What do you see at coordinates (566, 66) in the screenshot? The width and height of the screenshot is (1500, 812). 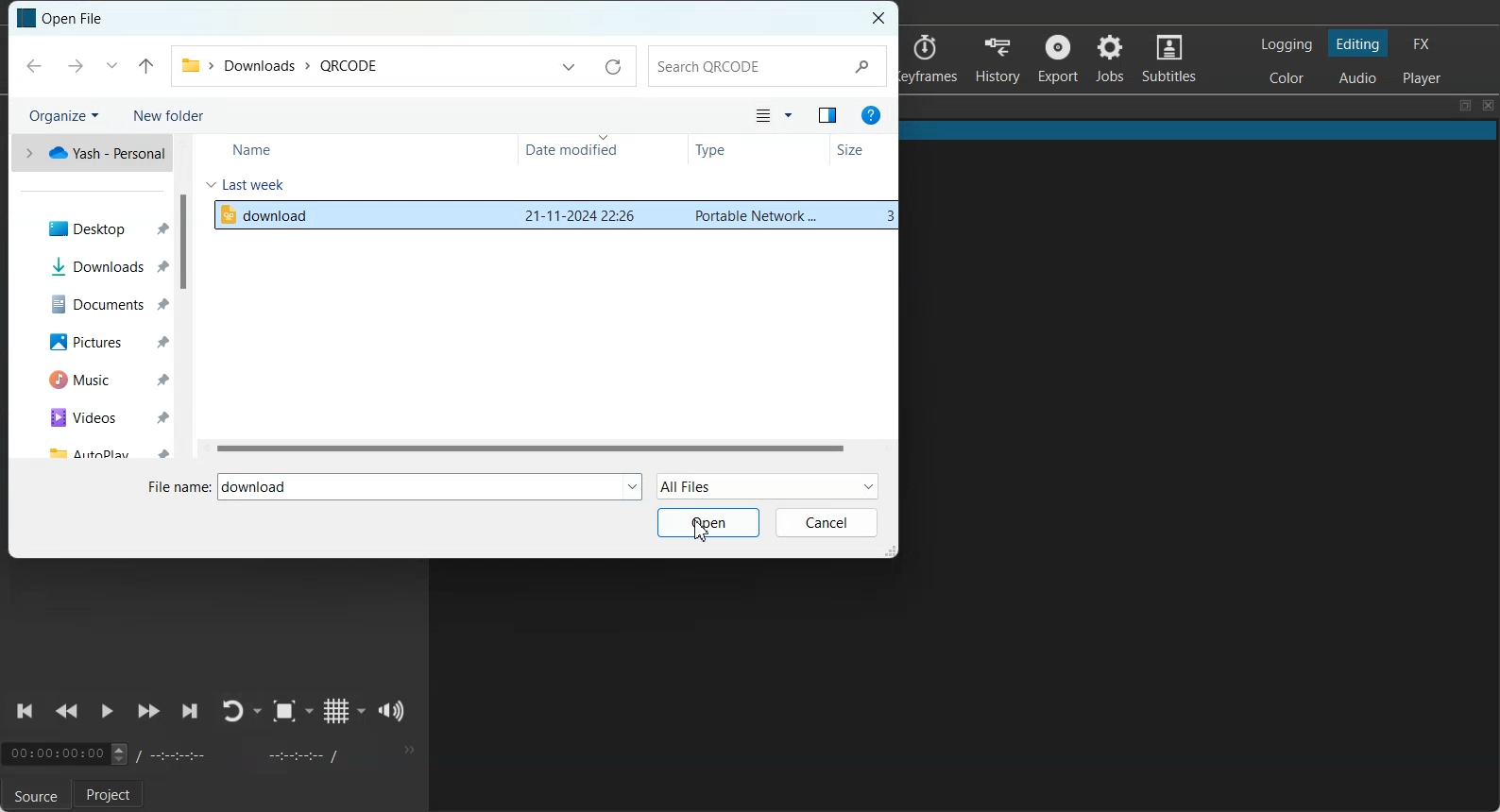 I see `Previous Location` at bounding box center [566, 66].